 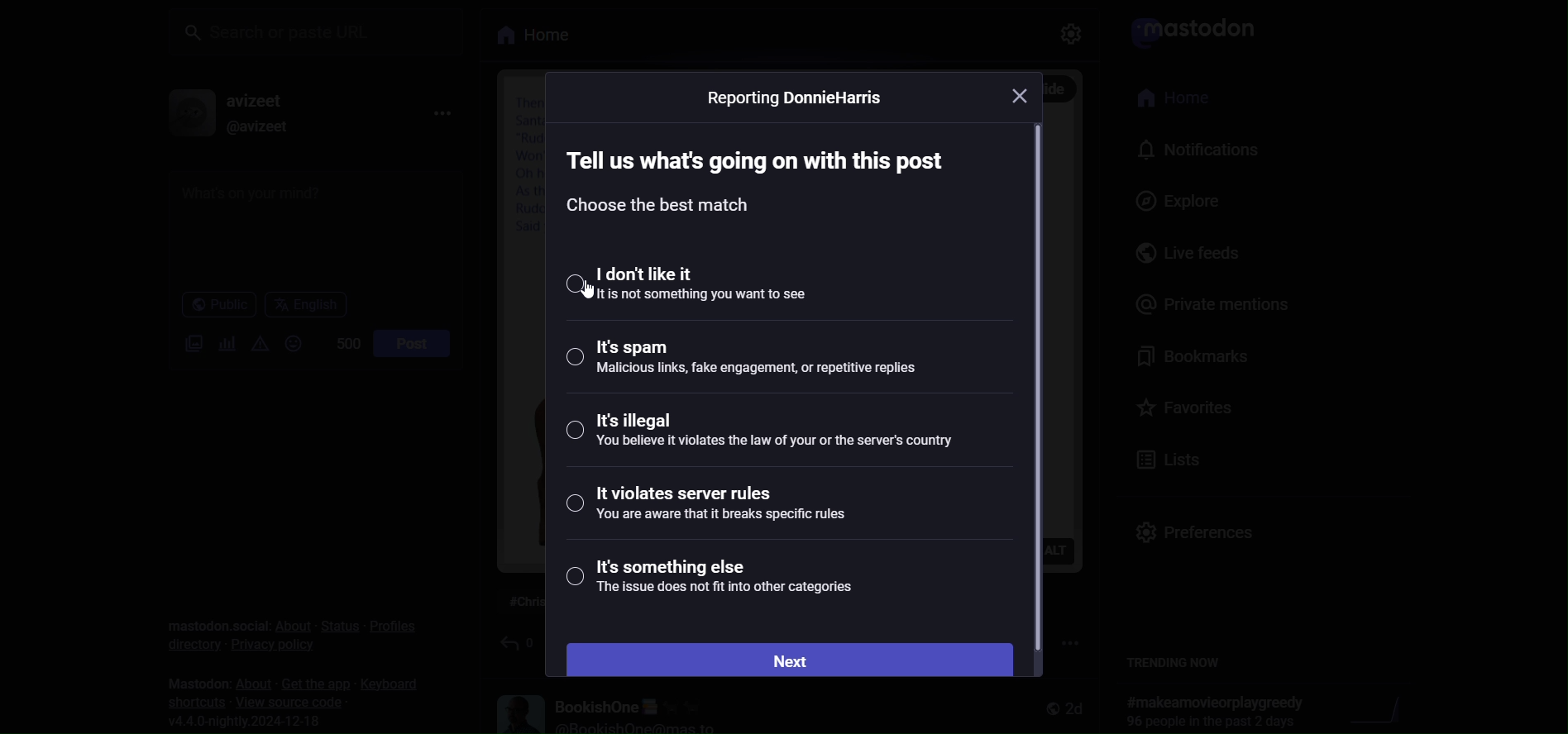 I want to click on english, so click(x=304, y=304).